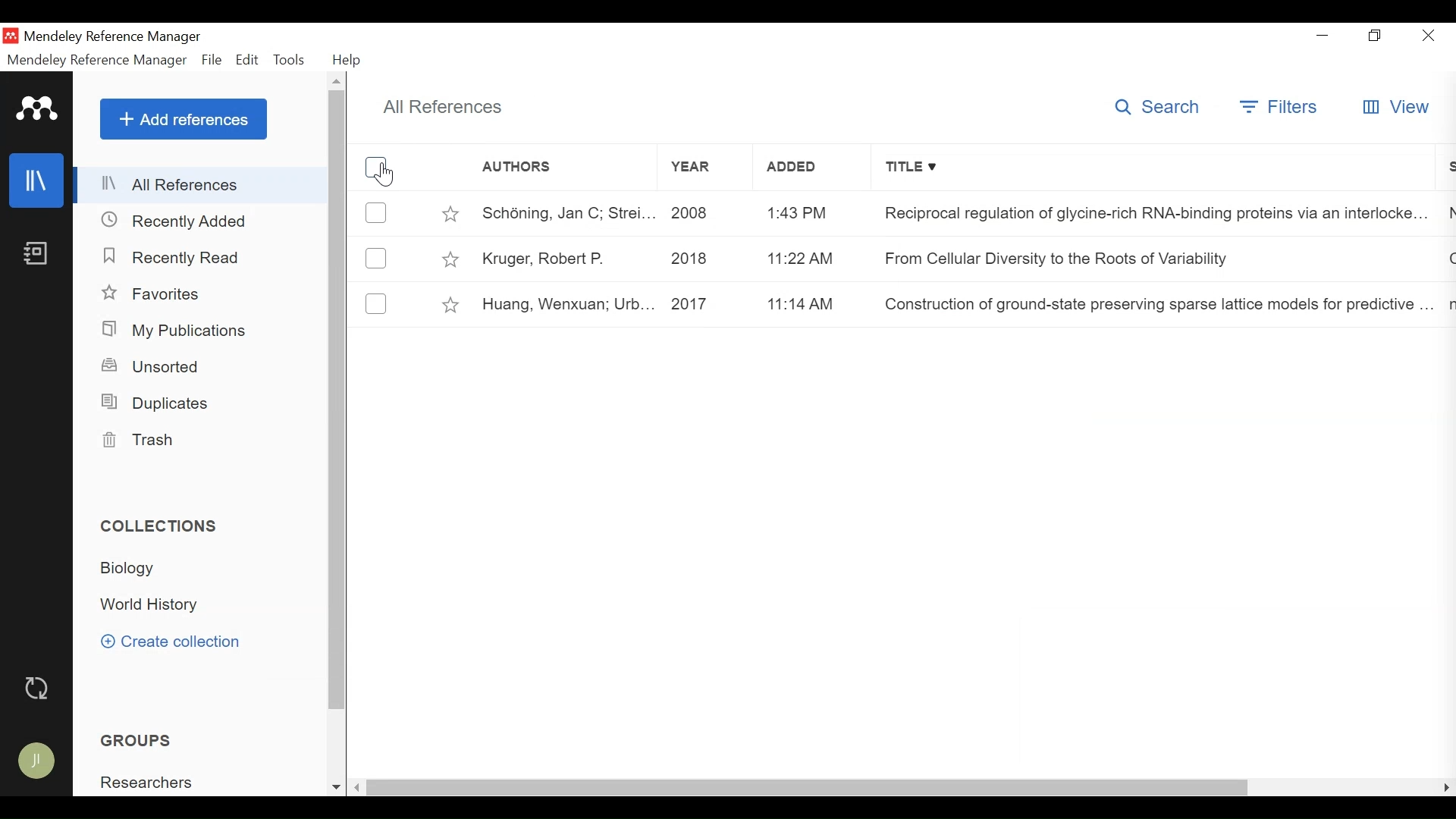 The image size is (1456, 819). Describe the element at coordinates (376, 213) in the screenshot. I see `(un)select` at that location.